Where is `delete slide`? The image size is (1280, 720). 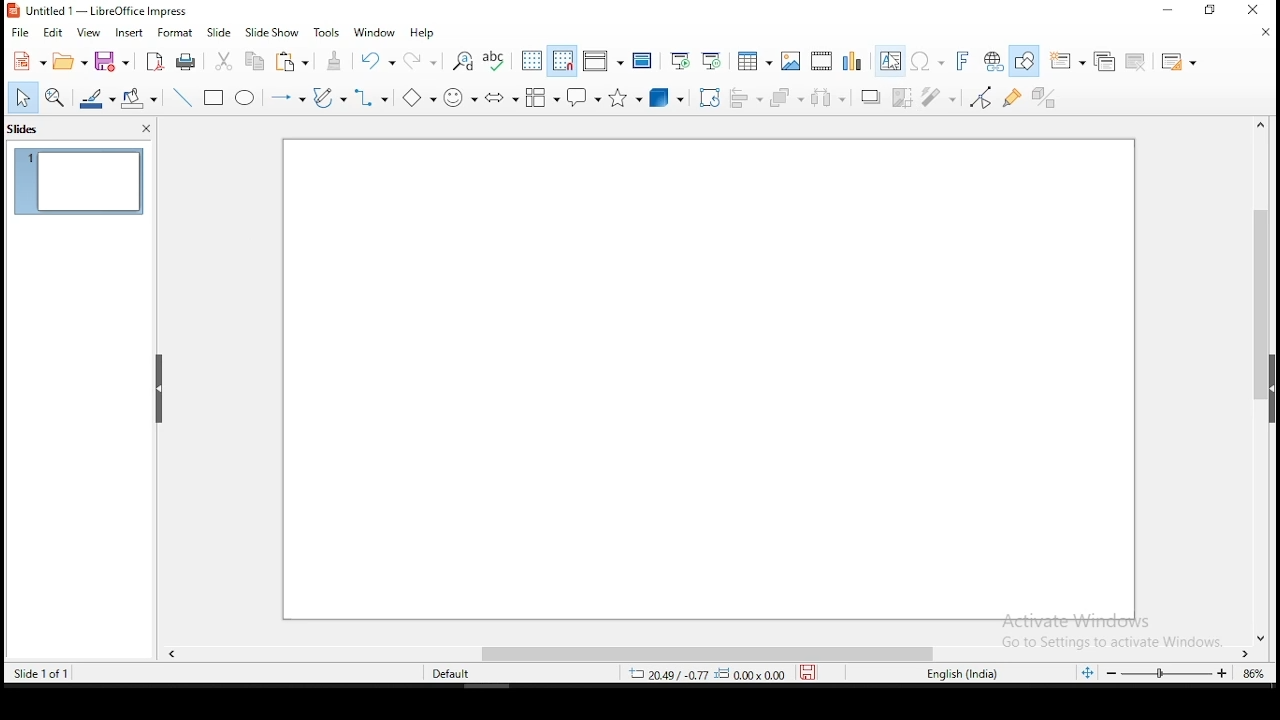 delete slide is located at coordinates (1137, 59).